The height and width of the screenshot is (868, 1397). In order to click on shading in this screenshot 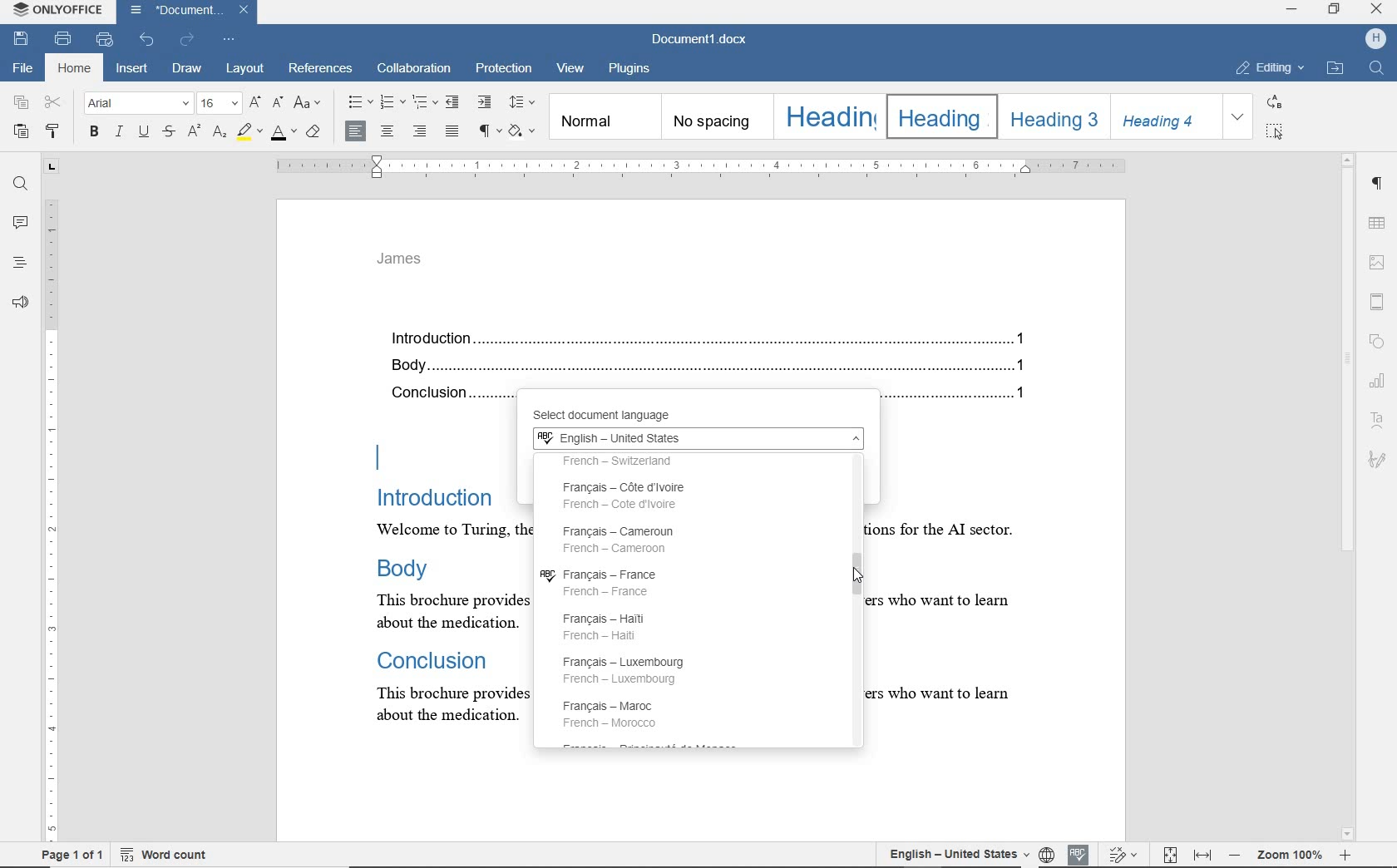, I will do `click(525, 131)`.